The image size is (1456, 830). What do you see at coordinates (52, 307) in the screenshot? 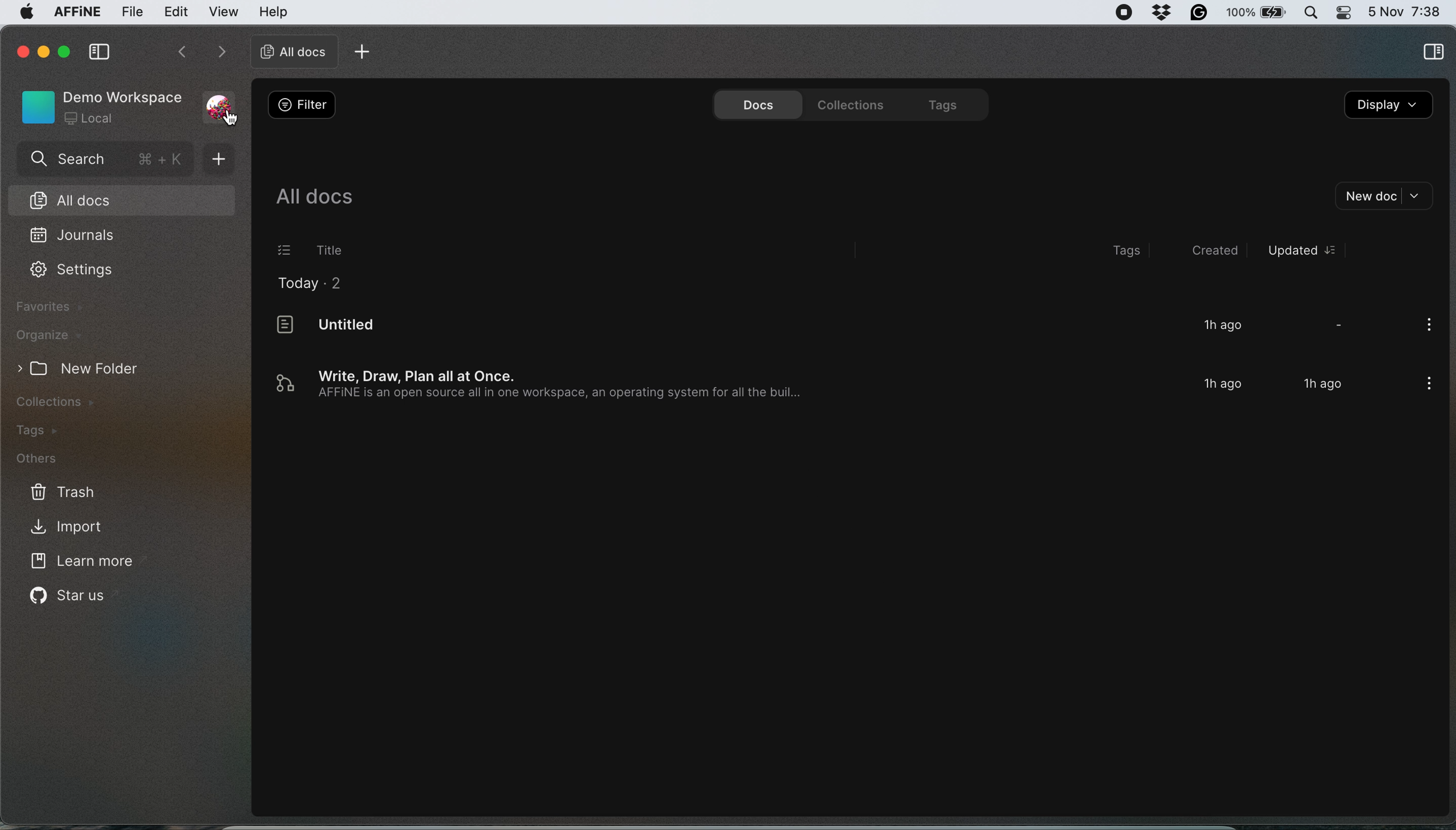
I see `favourites` at bounding box center [52, 307].